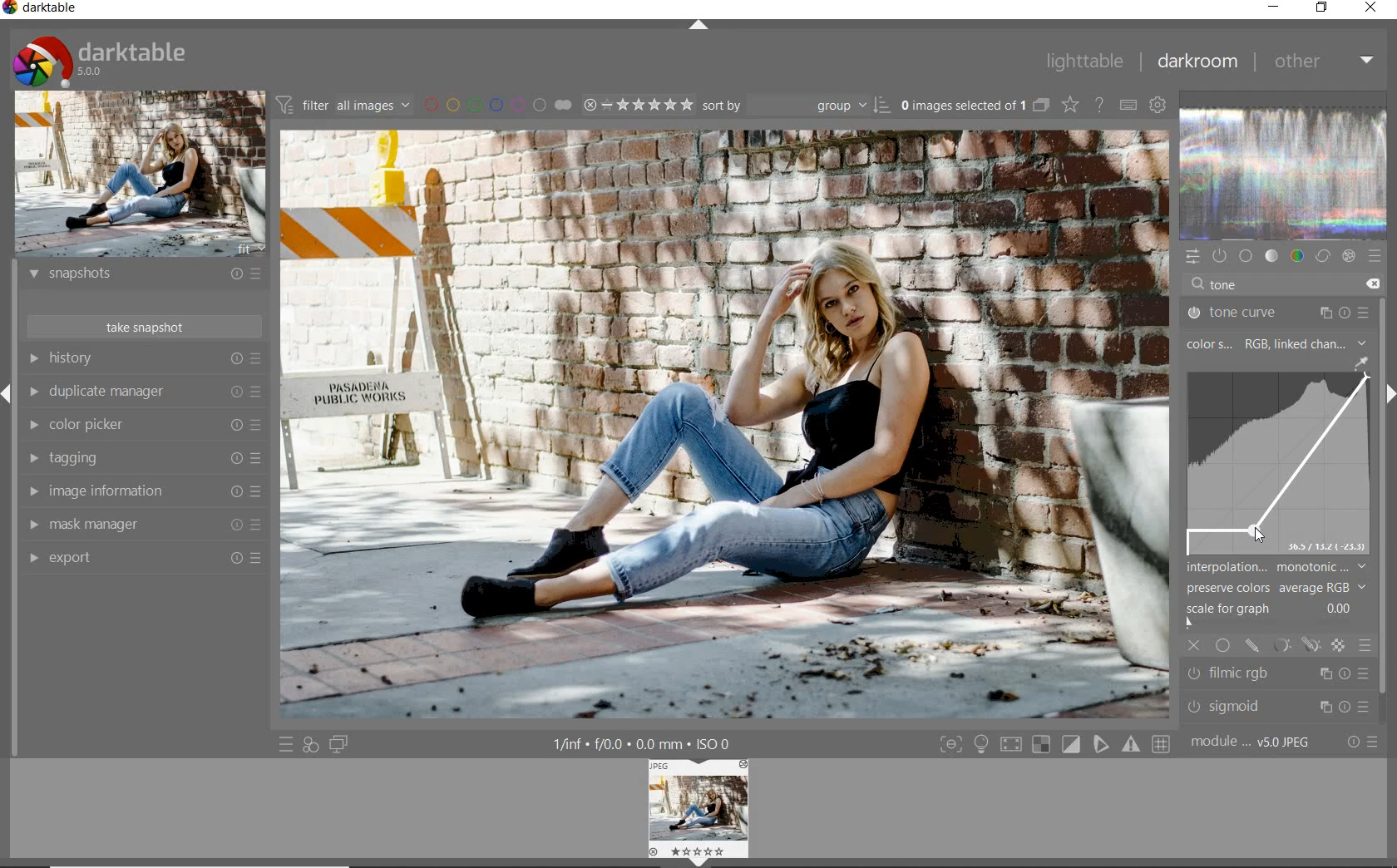 This screenshot has height=868, width=1397. What do you see at coordinates (141, 523) in the screenshot?
I see `mask manager` at bounding box center [141, 523].